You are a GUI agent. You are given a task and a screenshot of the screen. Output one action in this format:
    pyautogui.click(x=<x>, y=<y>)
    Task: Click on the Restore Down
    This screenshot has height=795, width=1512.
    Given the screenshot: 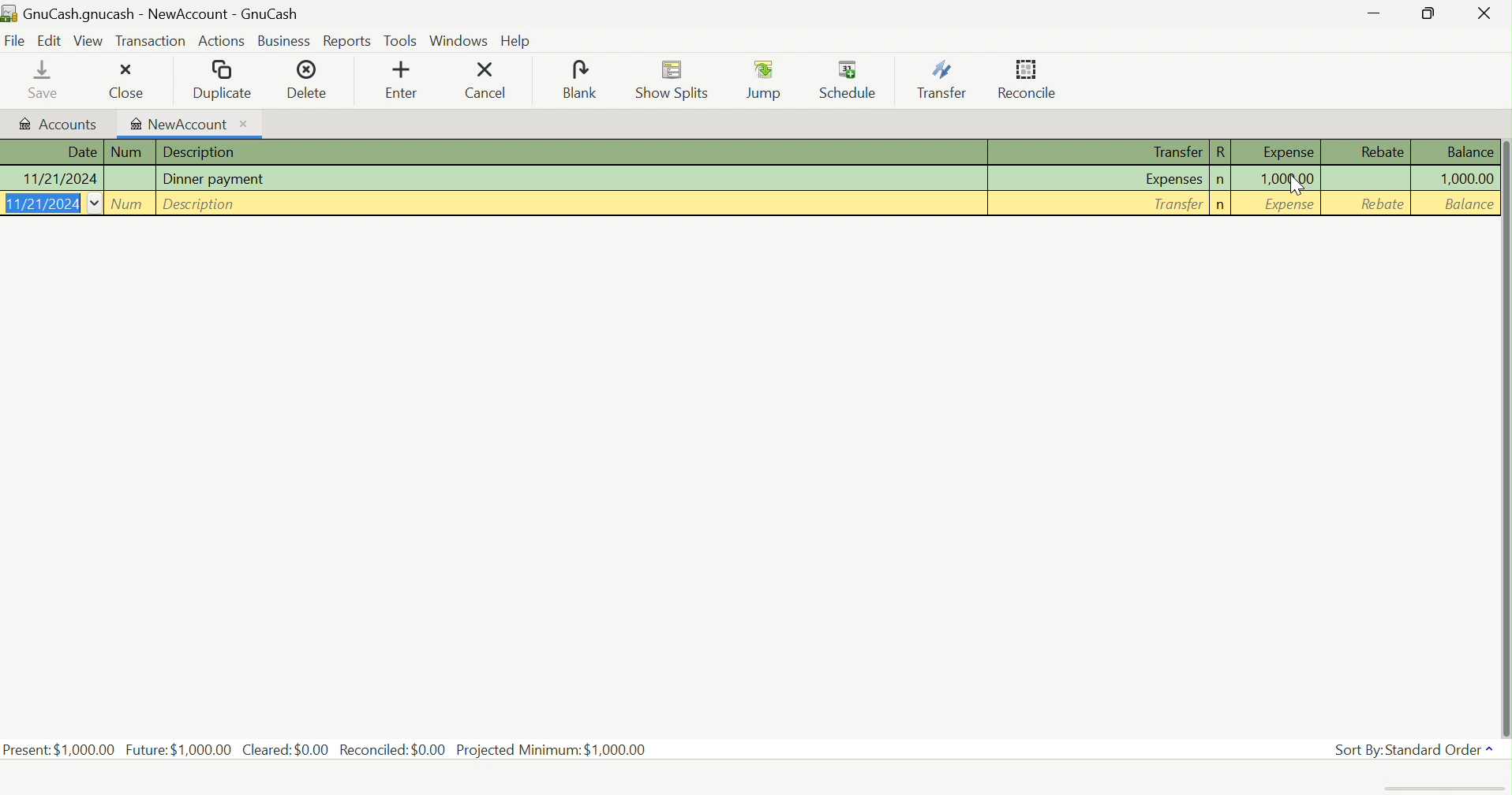 What is the action you would take?
    pyautogui.click(x=1428, y=13)
    